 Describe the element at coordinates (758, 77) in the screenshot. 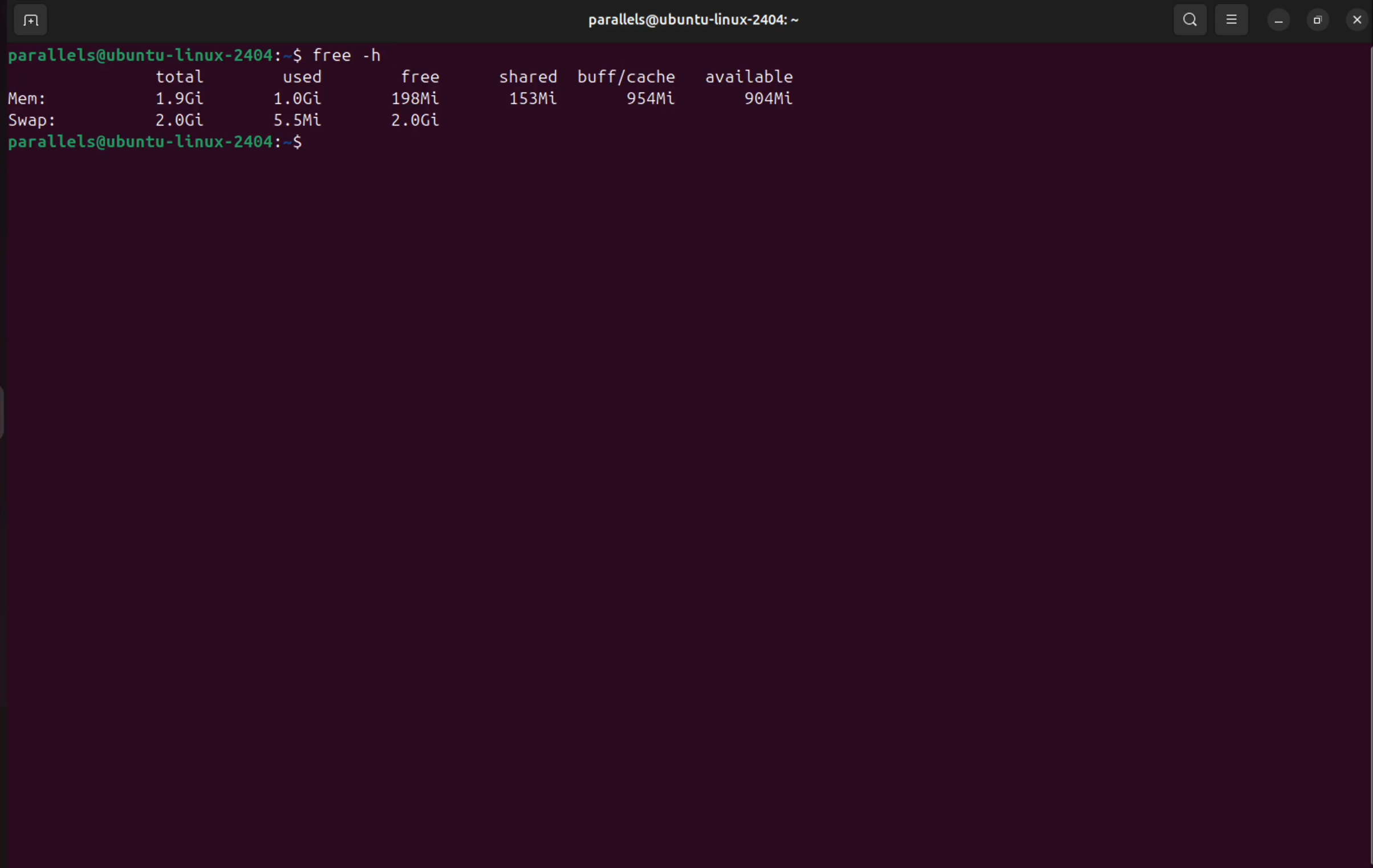

I see `available` at that location.